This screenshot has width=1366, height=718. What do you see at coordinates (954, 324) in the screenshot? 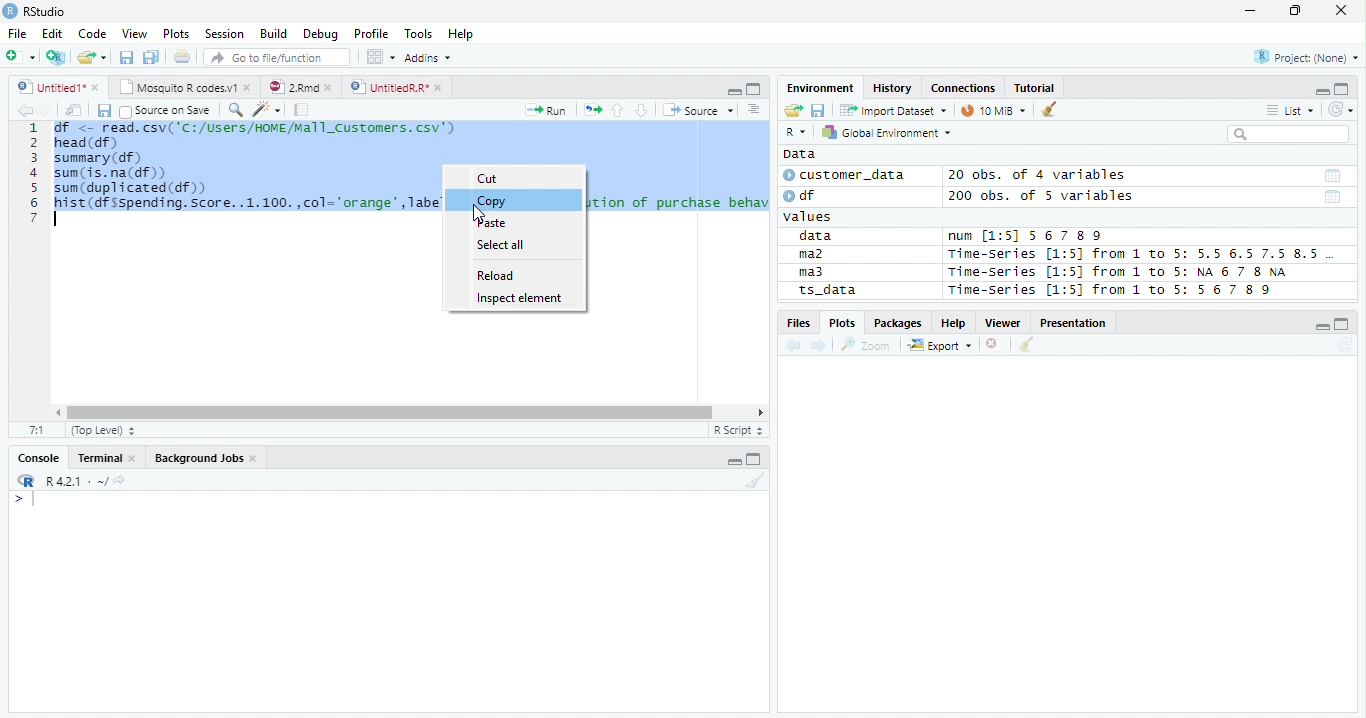
I see `Help` at bounding box center [954, 324].